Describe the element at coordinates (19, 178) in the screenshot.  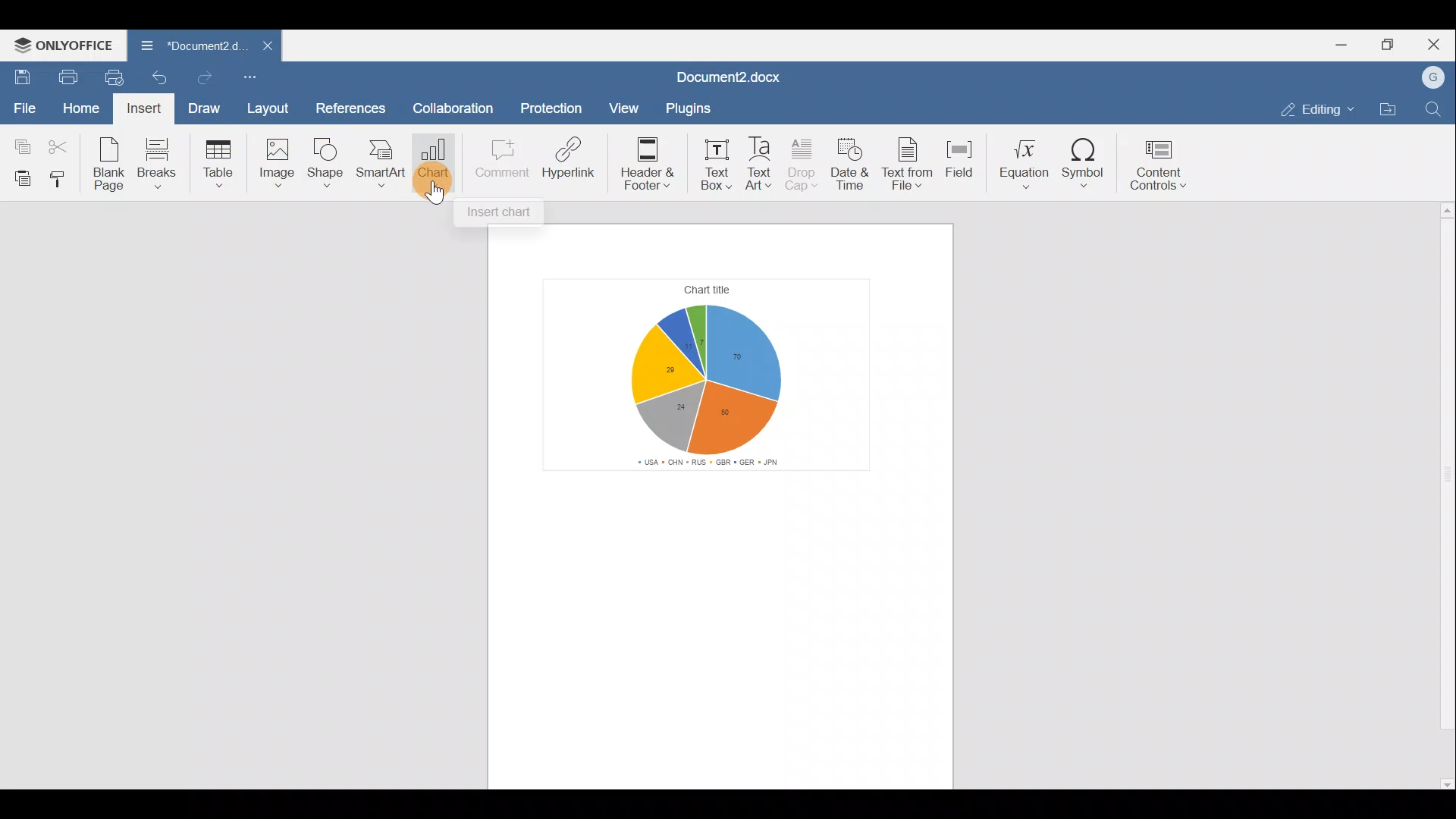
I see `Paste` at that location.